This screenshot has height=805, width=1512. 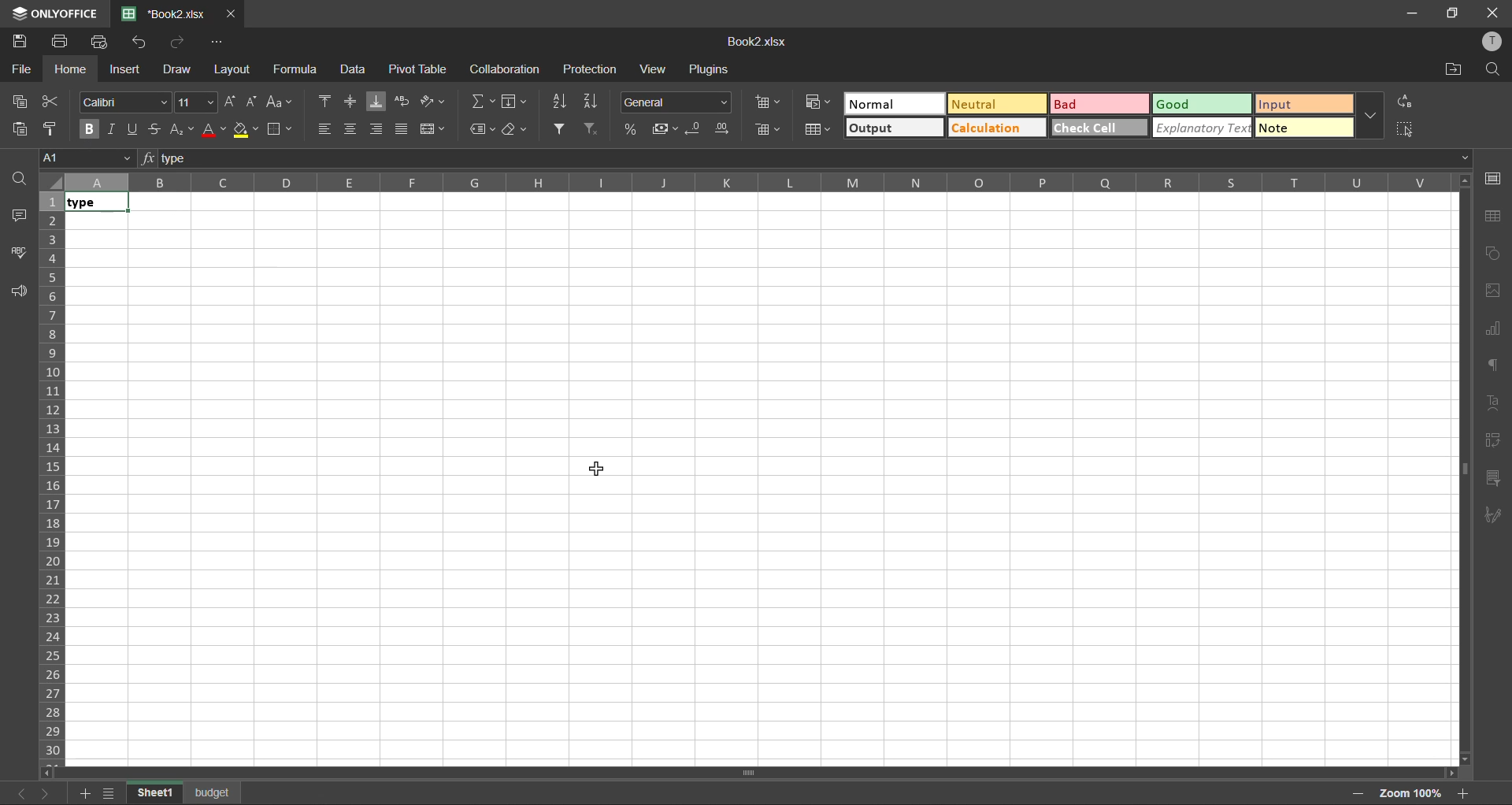 What do you see at coordinates (1495, 256) in the screenshot?
I see `shapes` at bounding box center [1495, 256].